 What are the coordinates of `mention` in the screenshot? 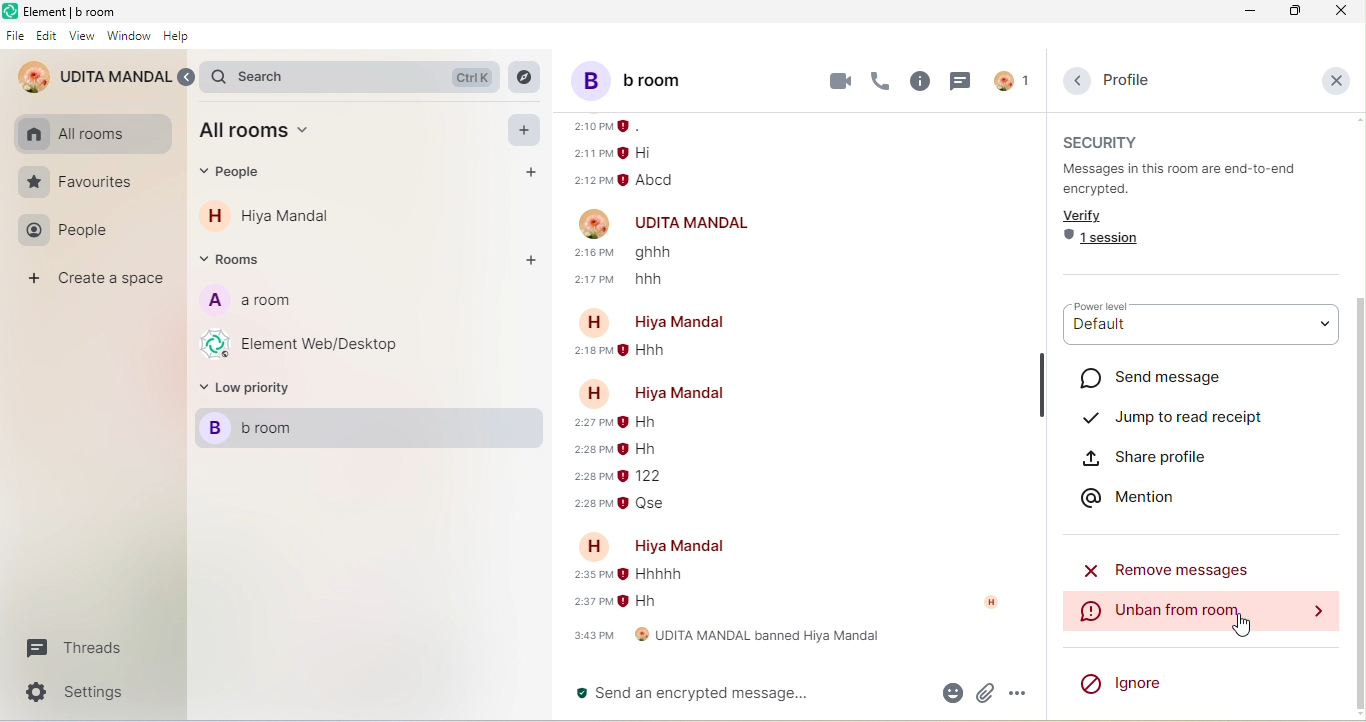 It's located at (1137, 496).